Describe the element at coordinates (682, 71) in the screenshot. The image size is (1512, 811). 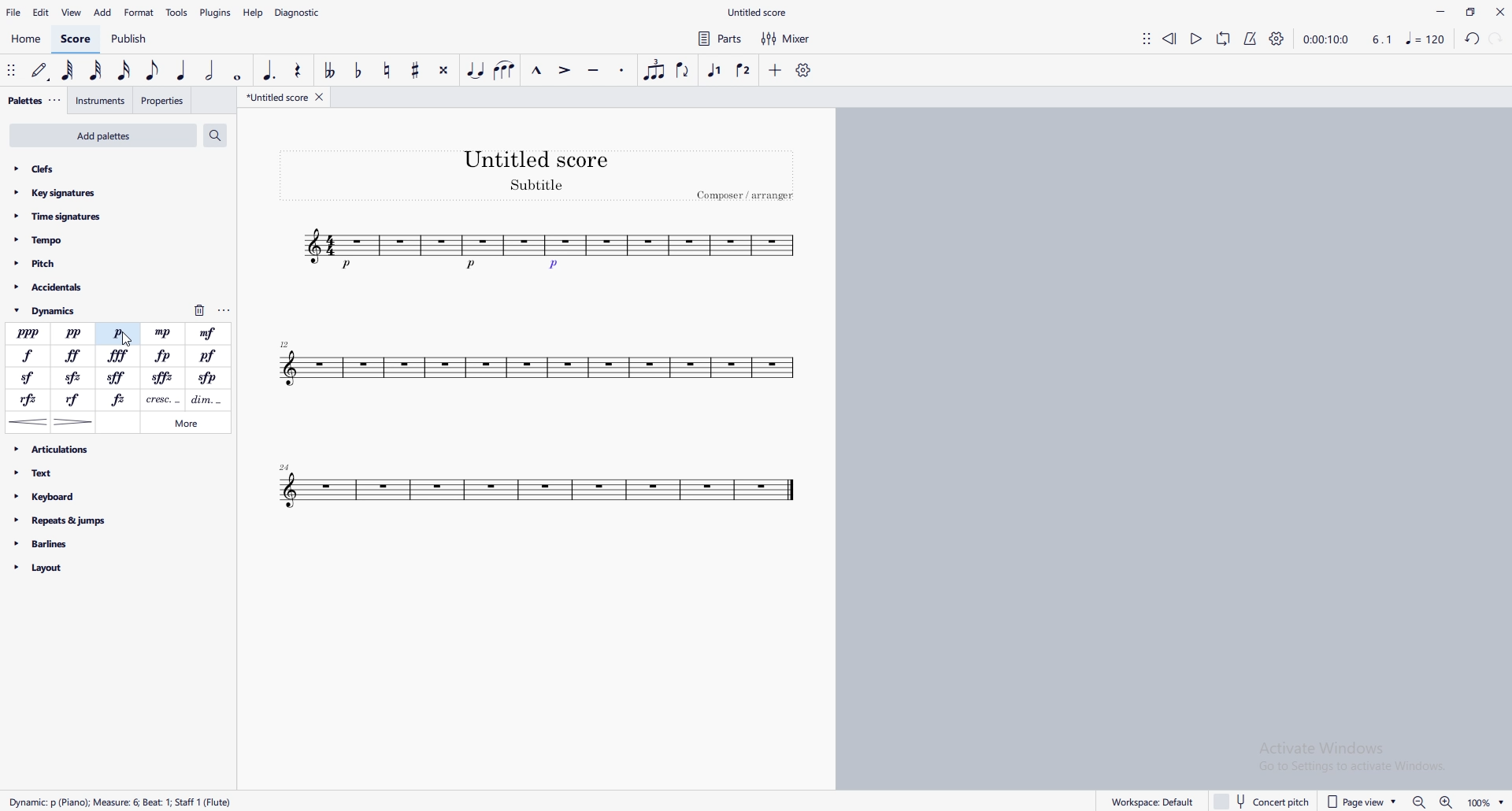
I see `flip direction` at that location.